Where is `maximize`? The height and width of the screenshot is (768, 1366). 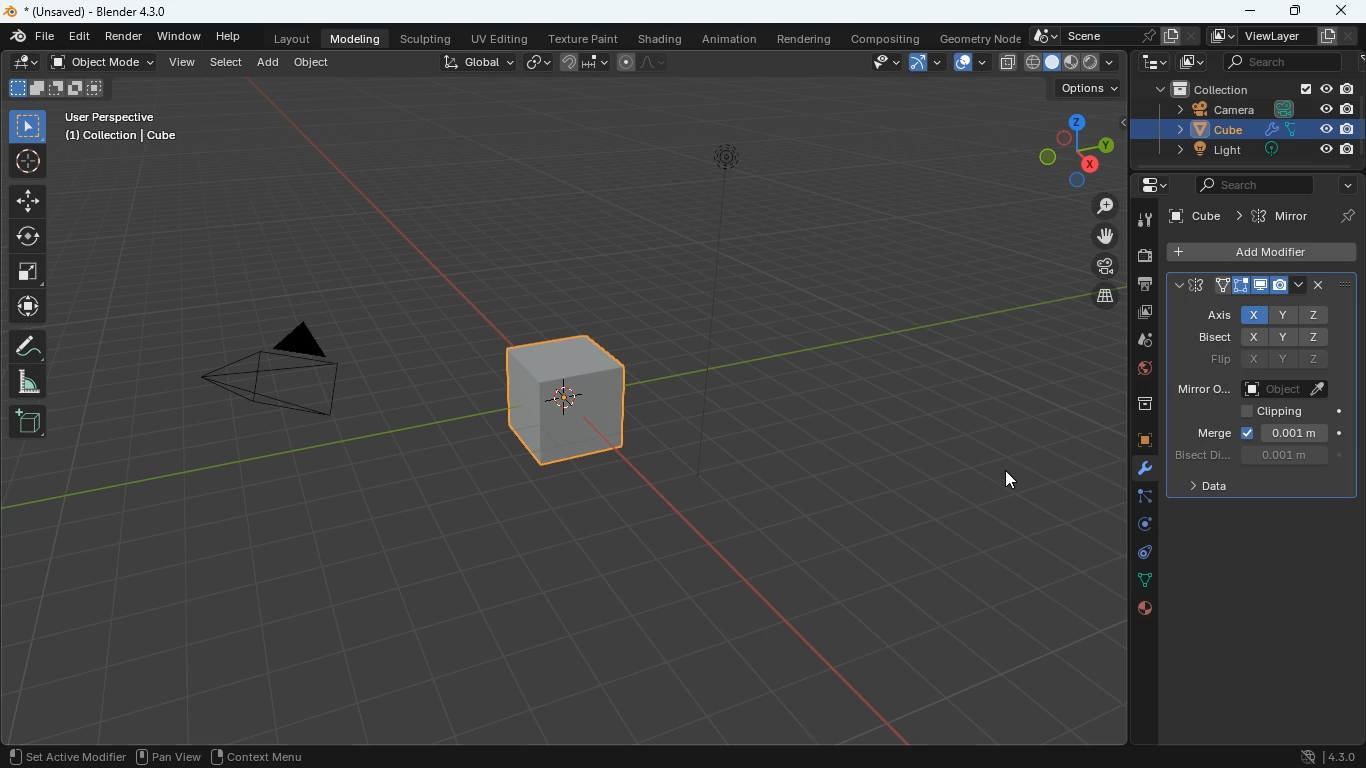
maximize is located at coordinates (1293, 9).